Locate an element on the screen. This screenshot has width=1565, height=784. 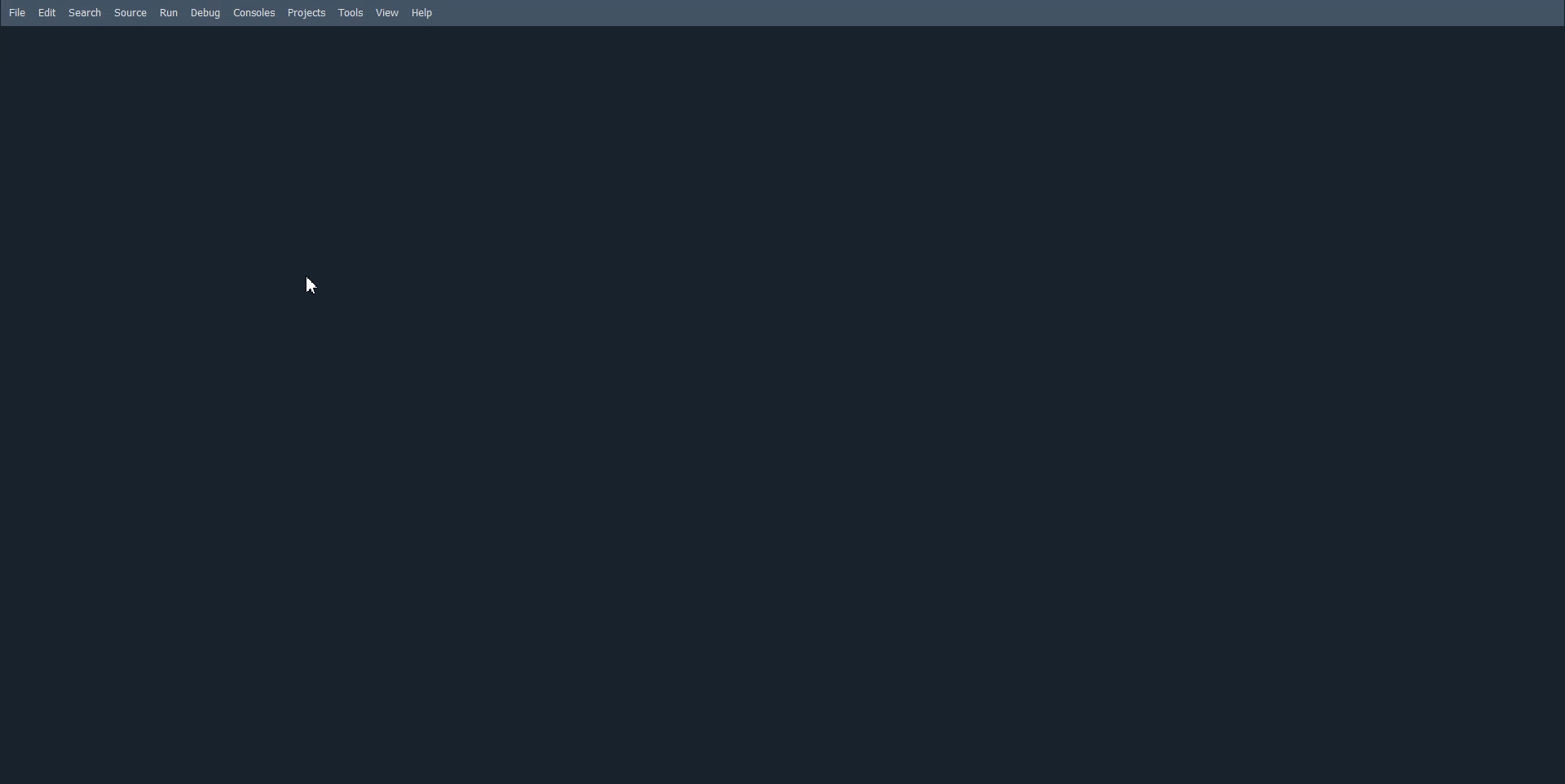
Source is located at coordinates (131, 12).